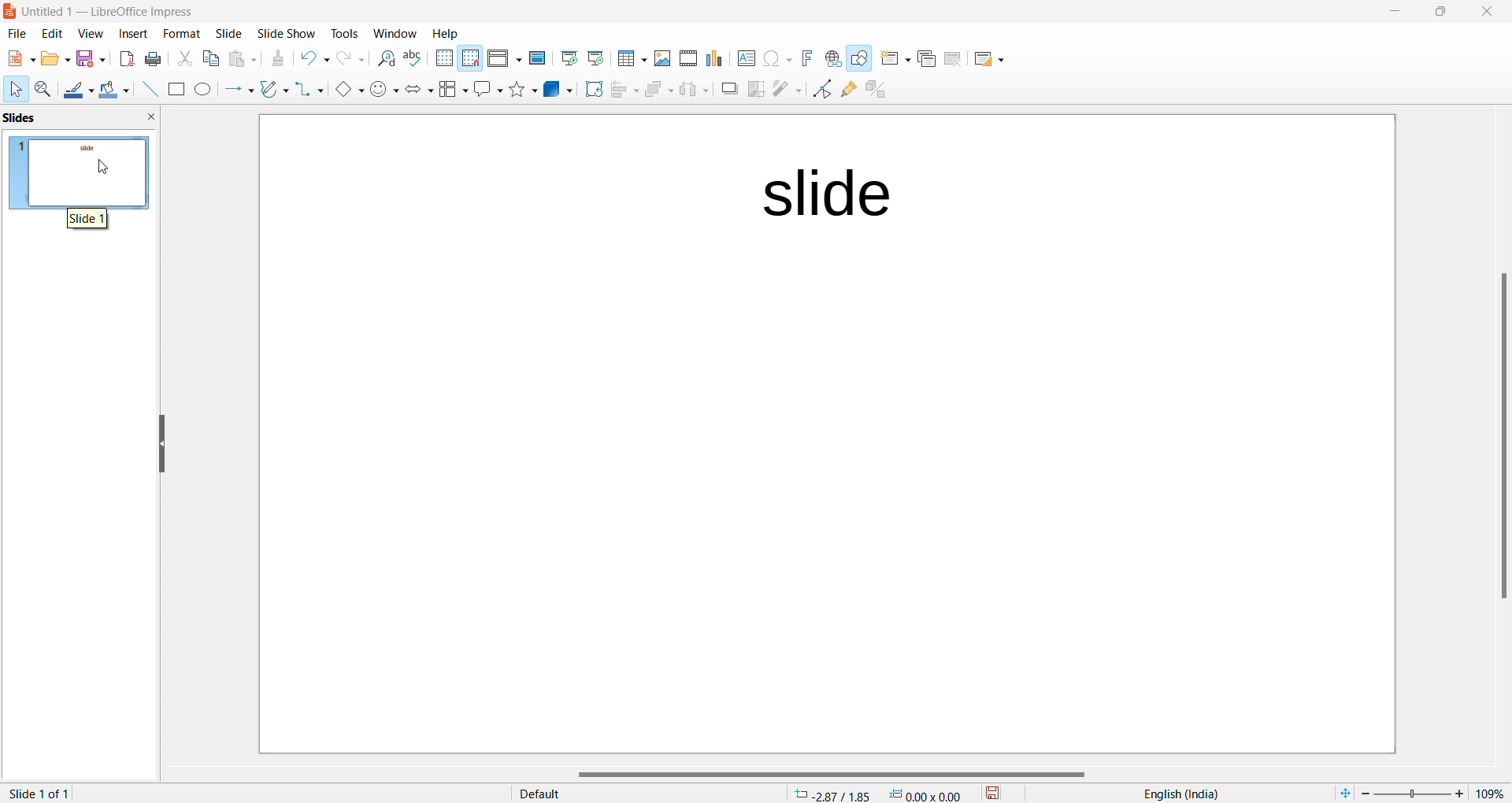 The height and width of the screenshot is (803, 1512). What do you see at coordinates (992, 794) in the screenshot?
I see `save` at bounding box center [992, 794].